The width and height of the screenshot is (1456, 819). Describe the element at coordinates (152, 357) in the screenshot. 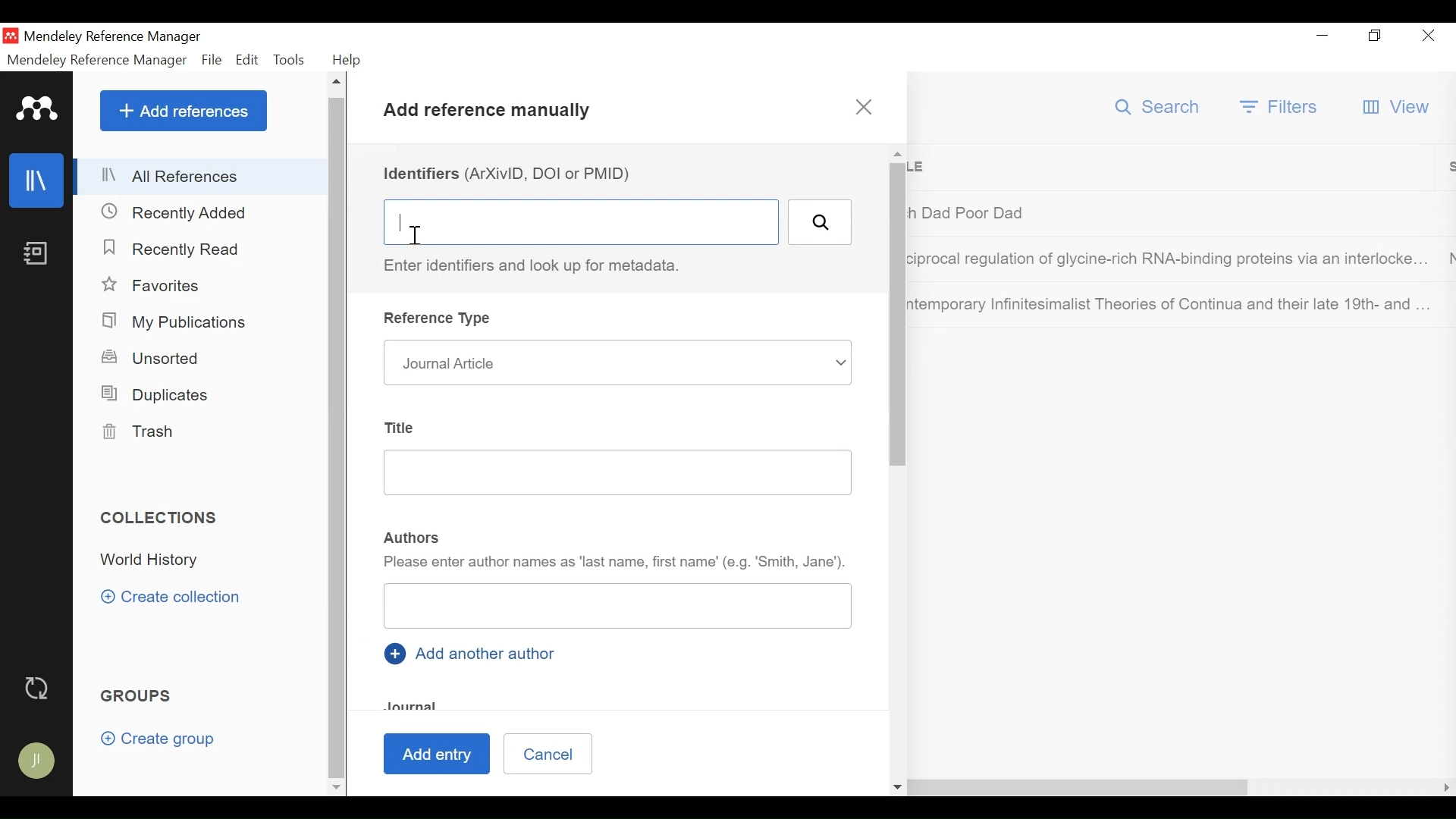

I see `Unsorted` at that location.